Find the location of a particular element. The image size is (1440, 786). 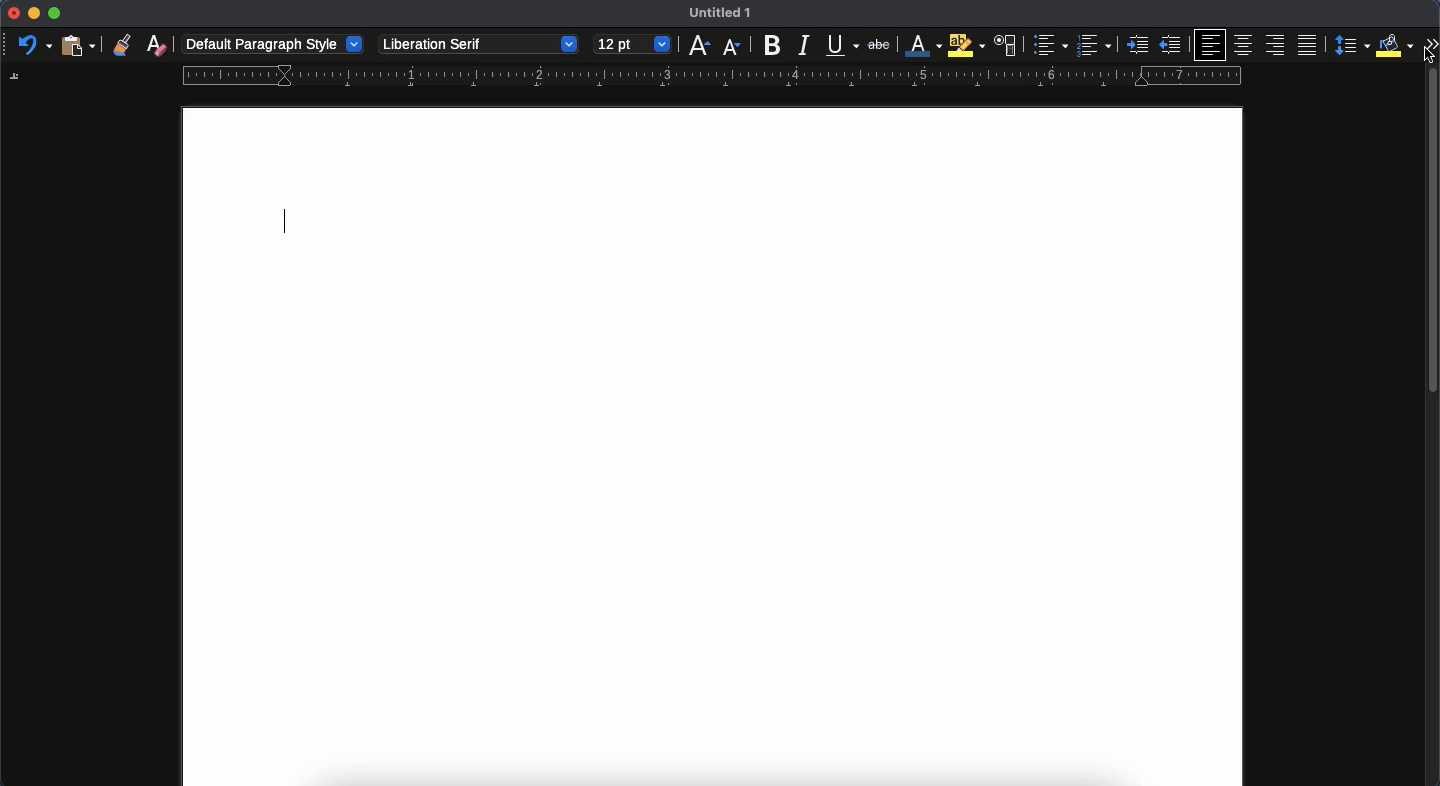

character is located at coordinates (1006, 46).